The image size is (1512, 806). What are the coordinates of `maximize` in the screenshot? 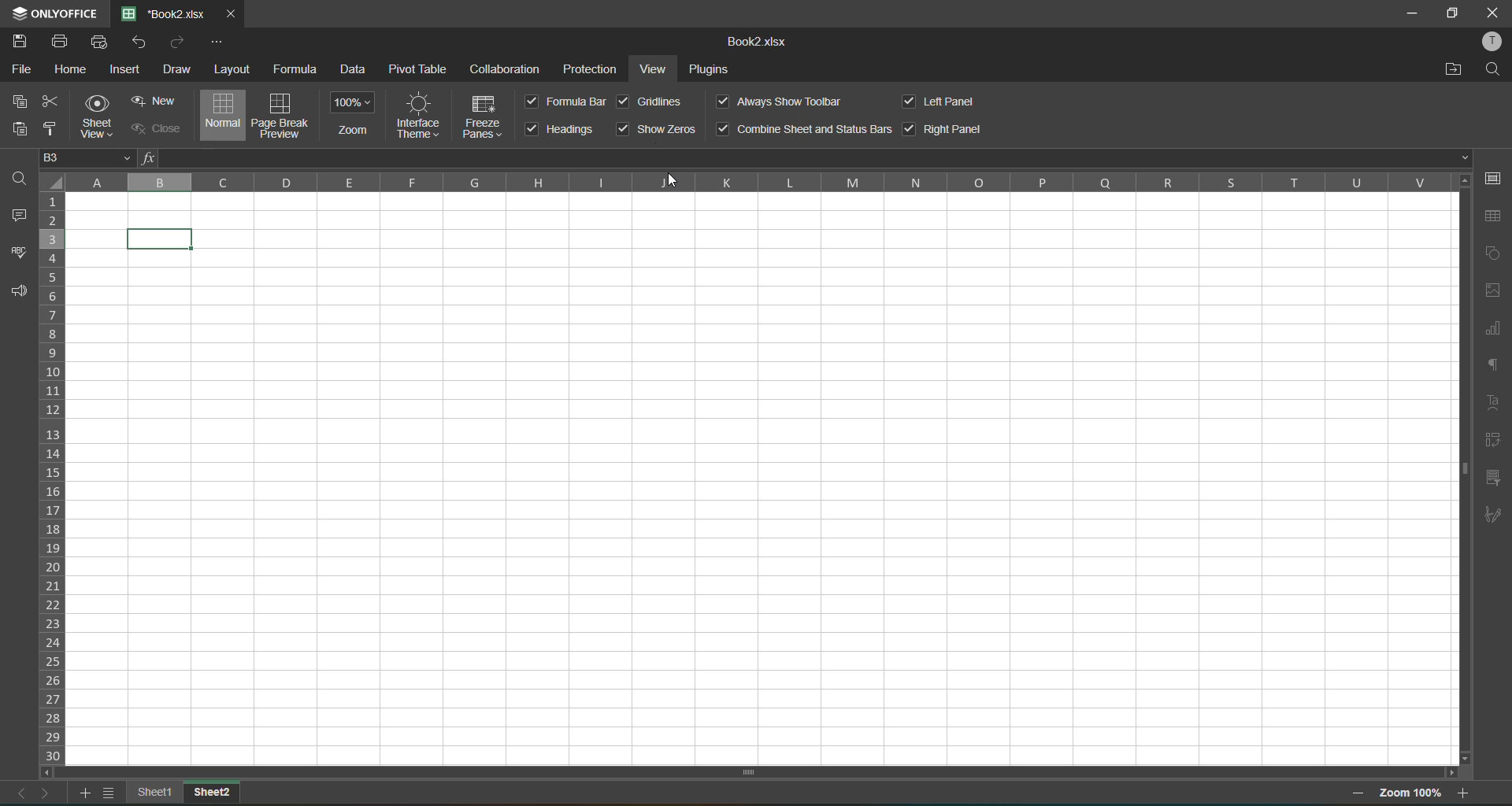 It's located at (1456, 14).